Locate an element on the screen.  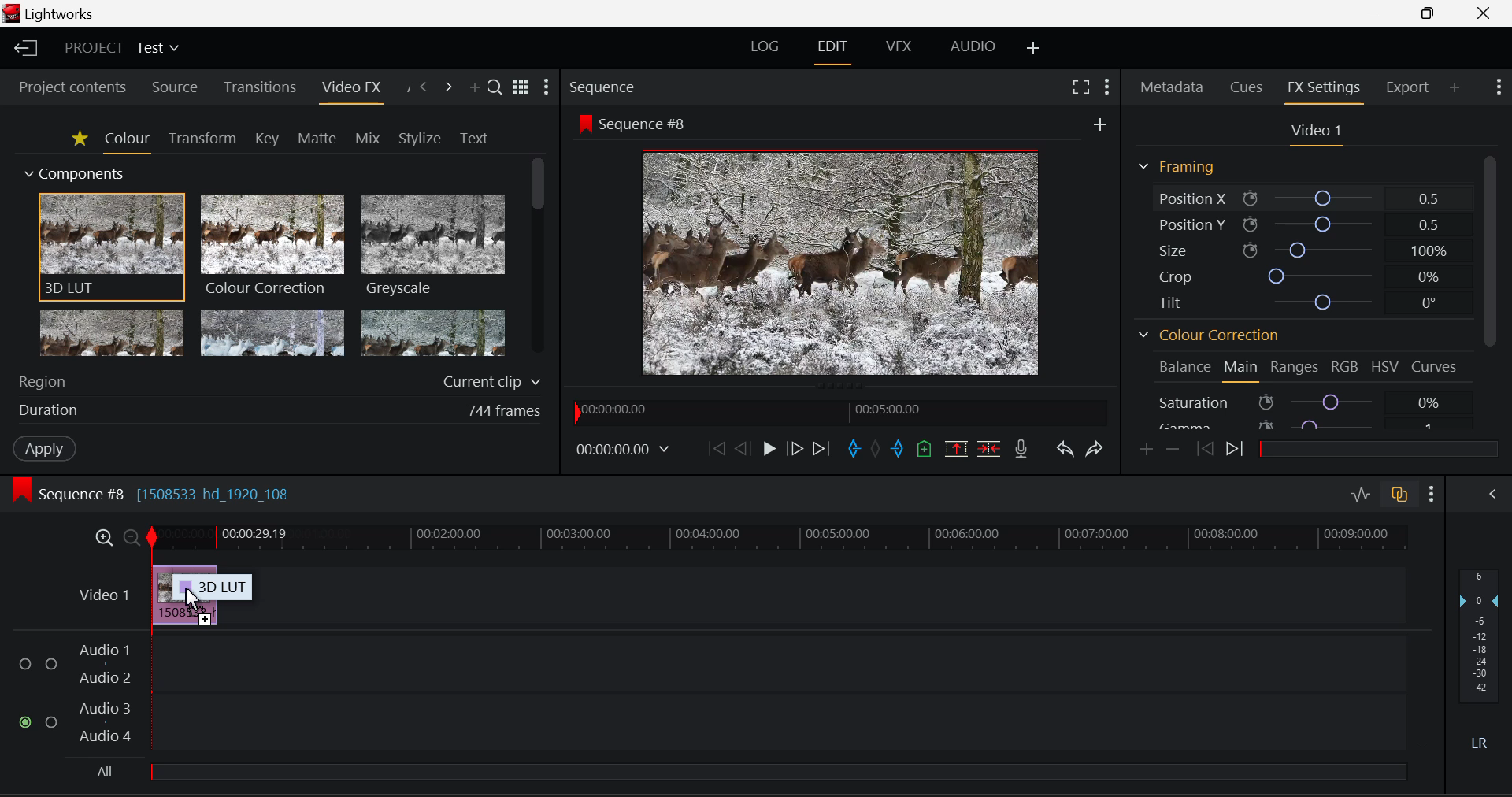
Add Layout is located at coordinates (1032, 48).